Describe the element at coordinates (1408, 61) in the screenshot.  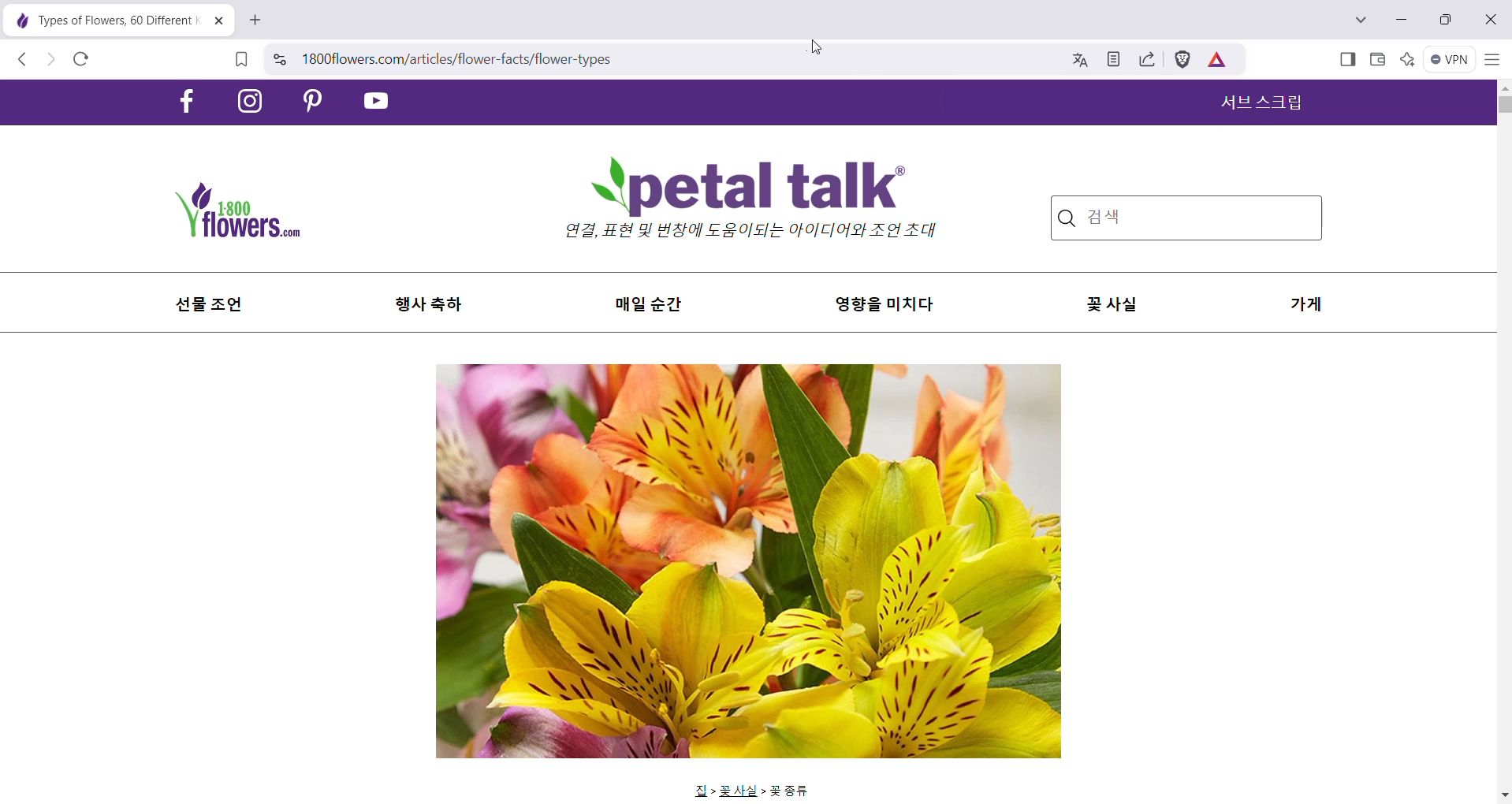
I see `Leo AI` at that location.